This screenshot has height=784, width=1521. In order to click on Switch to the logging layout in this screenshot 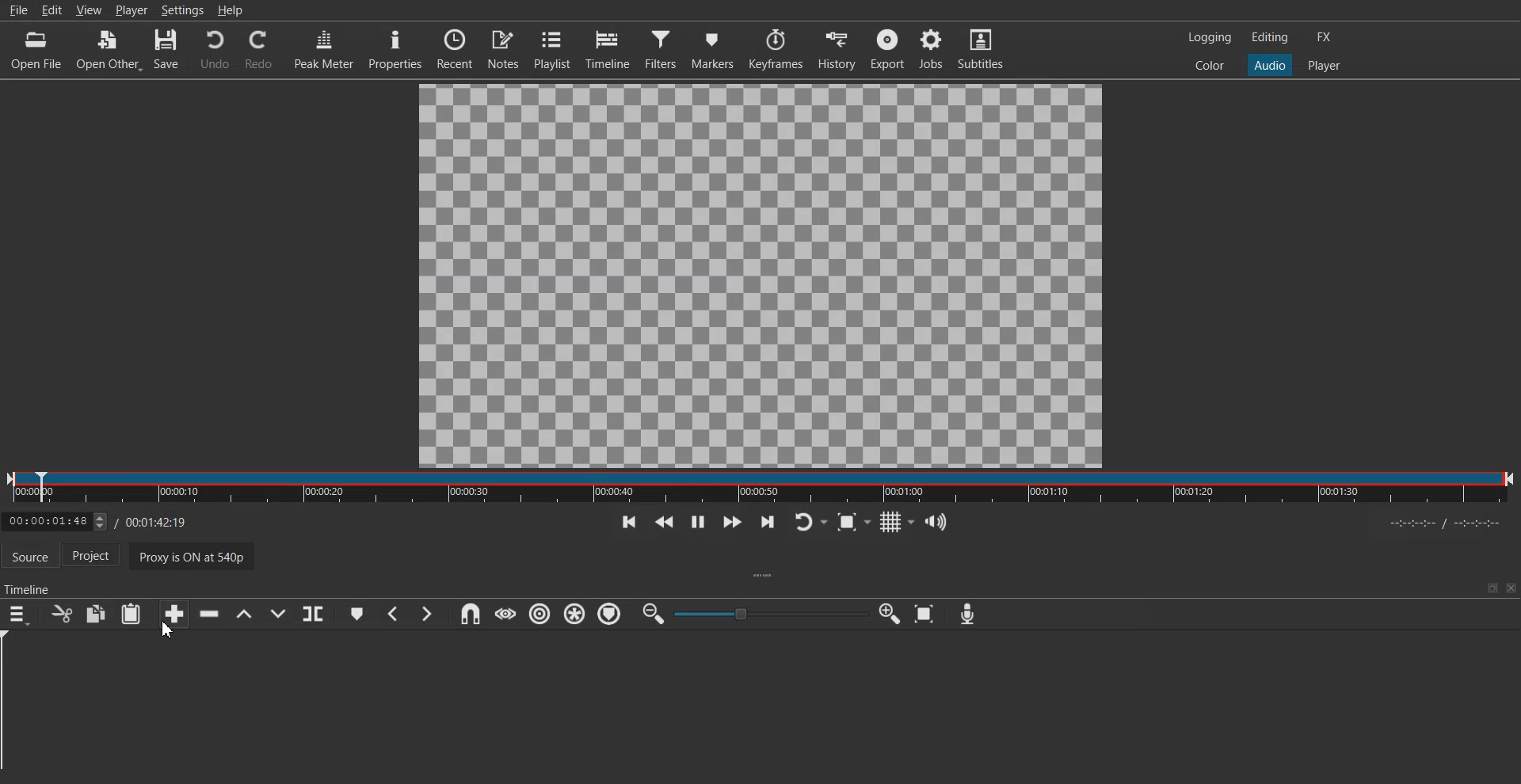, I will do `click(1208, 37)`.